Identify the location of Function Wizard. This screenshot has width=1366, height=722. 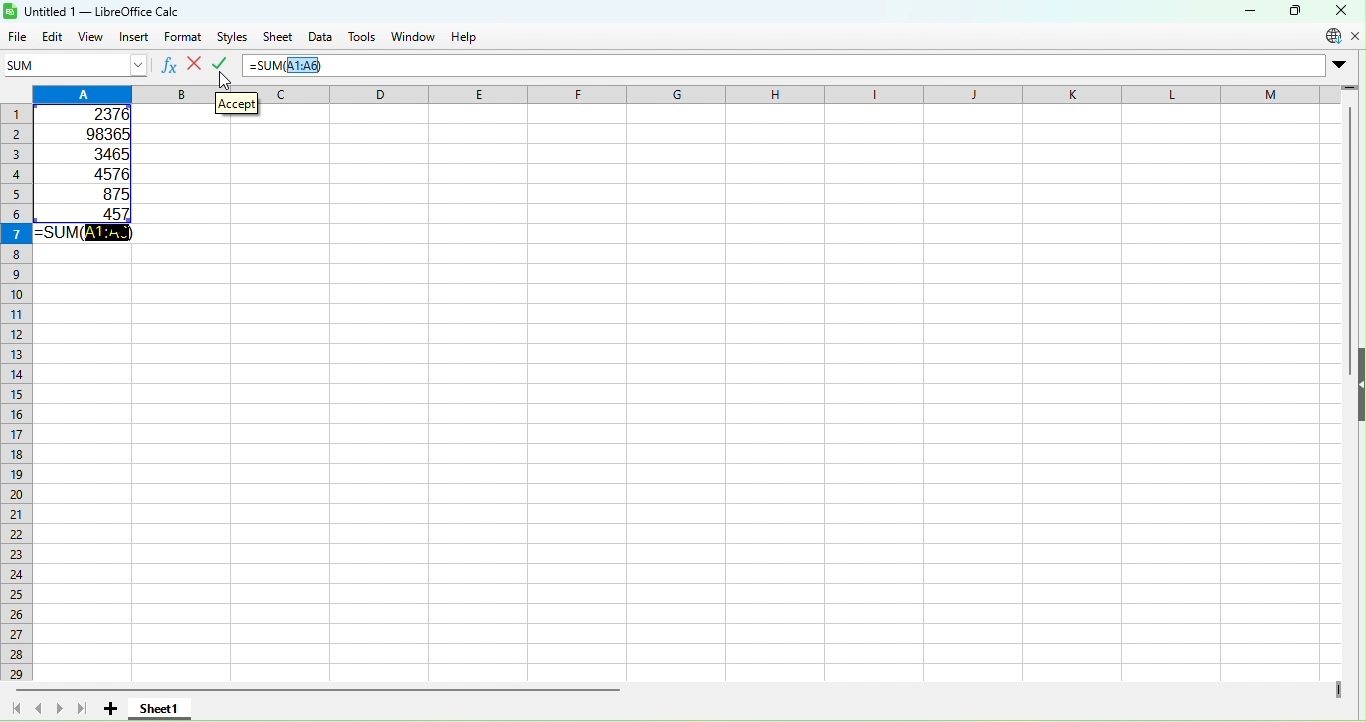
(170, 63).